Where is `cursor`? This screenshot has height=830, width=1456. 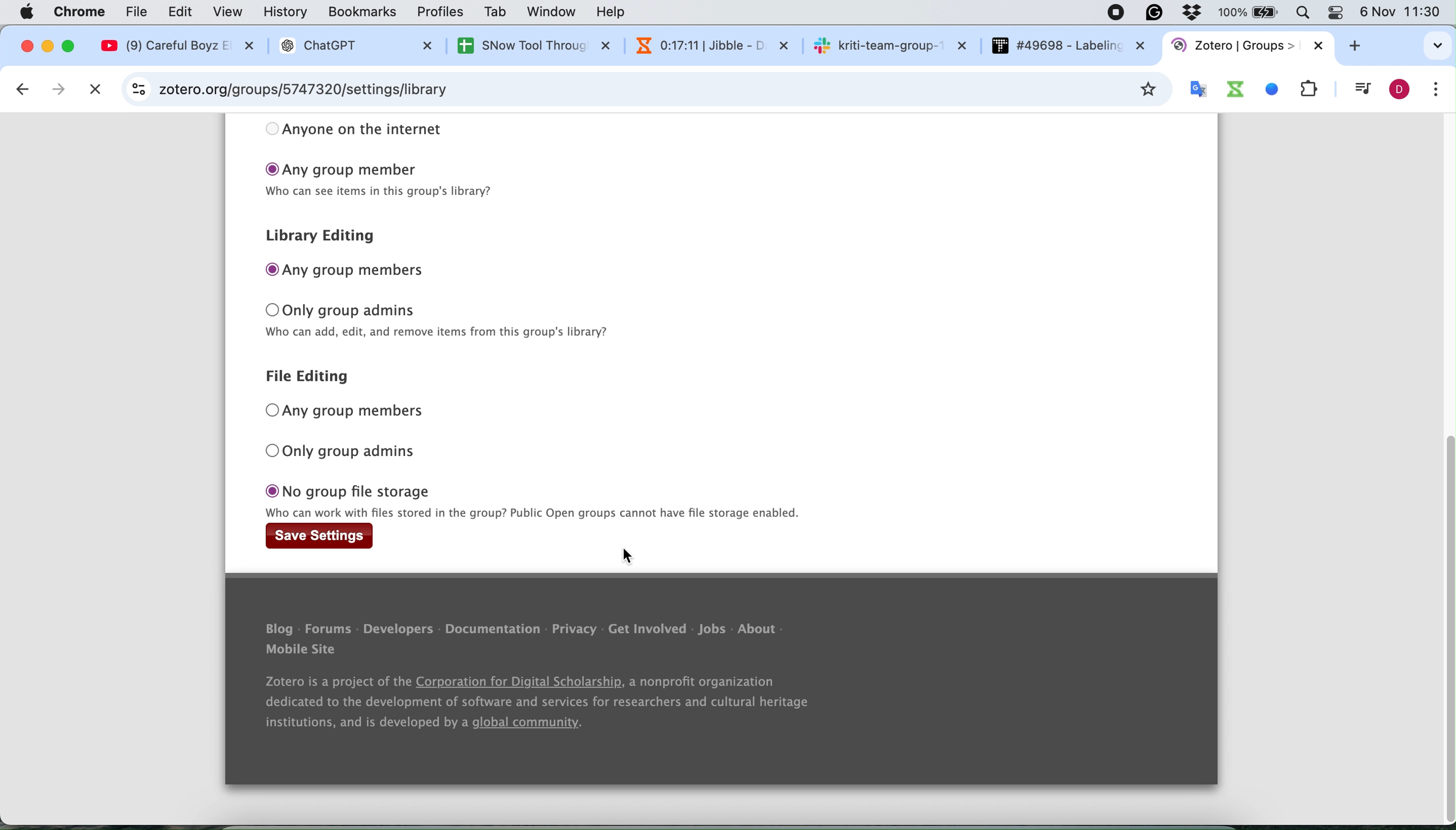 cursor is located at coordinates (627, 558).